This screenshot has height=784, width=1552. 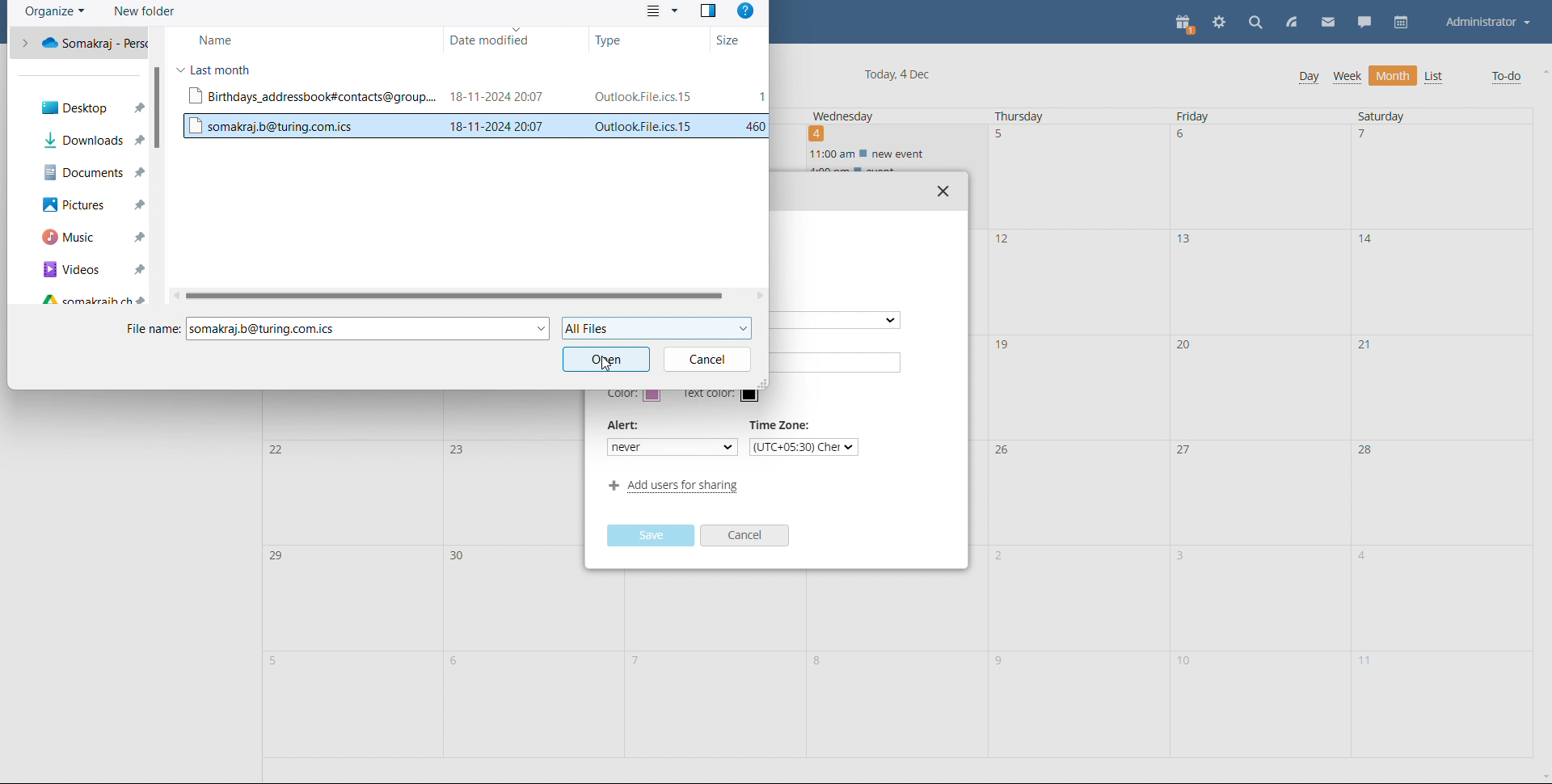 I want to click on pictures, so click(x=91, y=205).